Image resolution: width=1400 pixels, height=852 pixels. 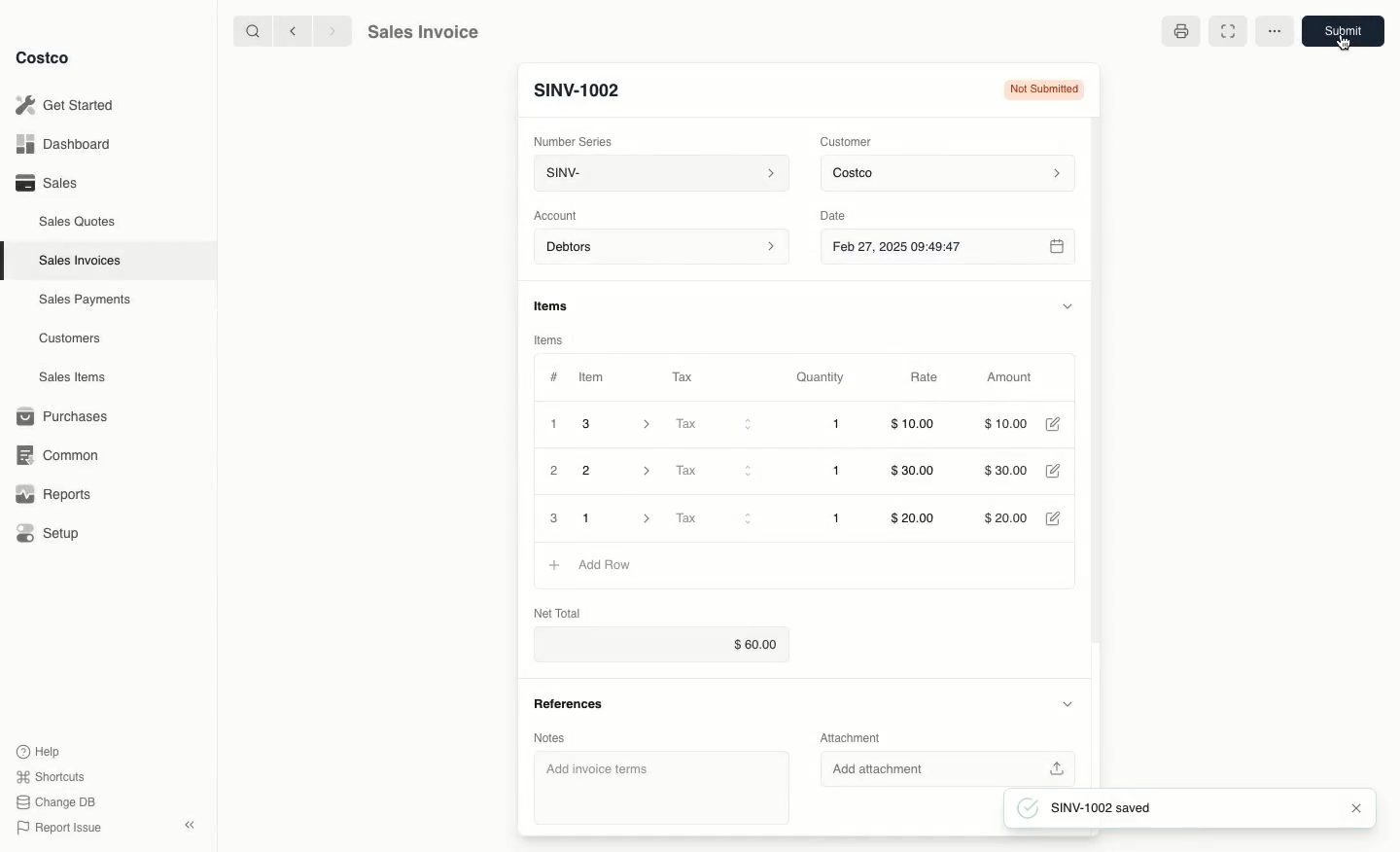 I want to click on Quantity, so click(x=822, y=377).